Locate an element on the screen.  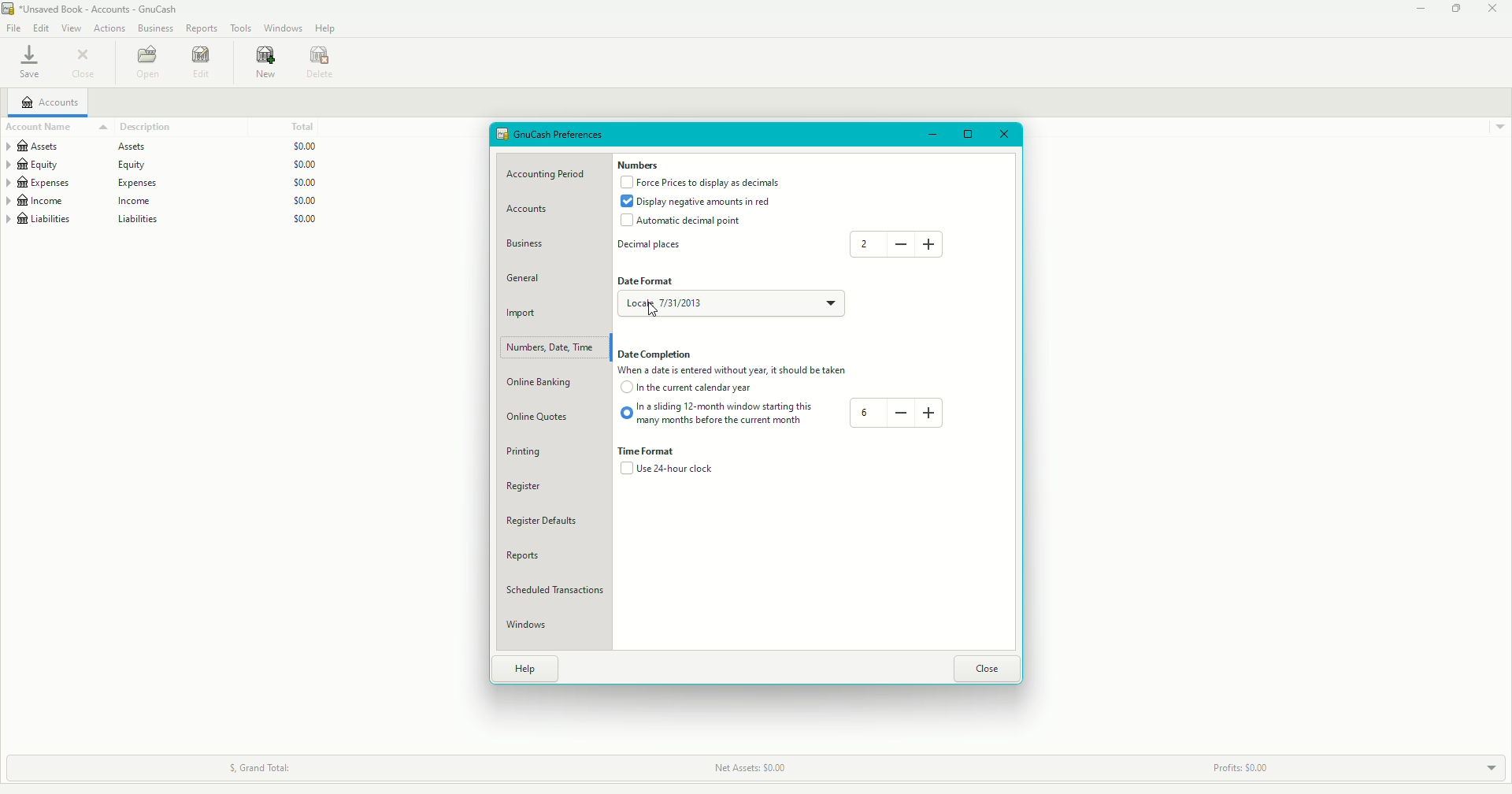
Save is located at coordinates (28, 65).